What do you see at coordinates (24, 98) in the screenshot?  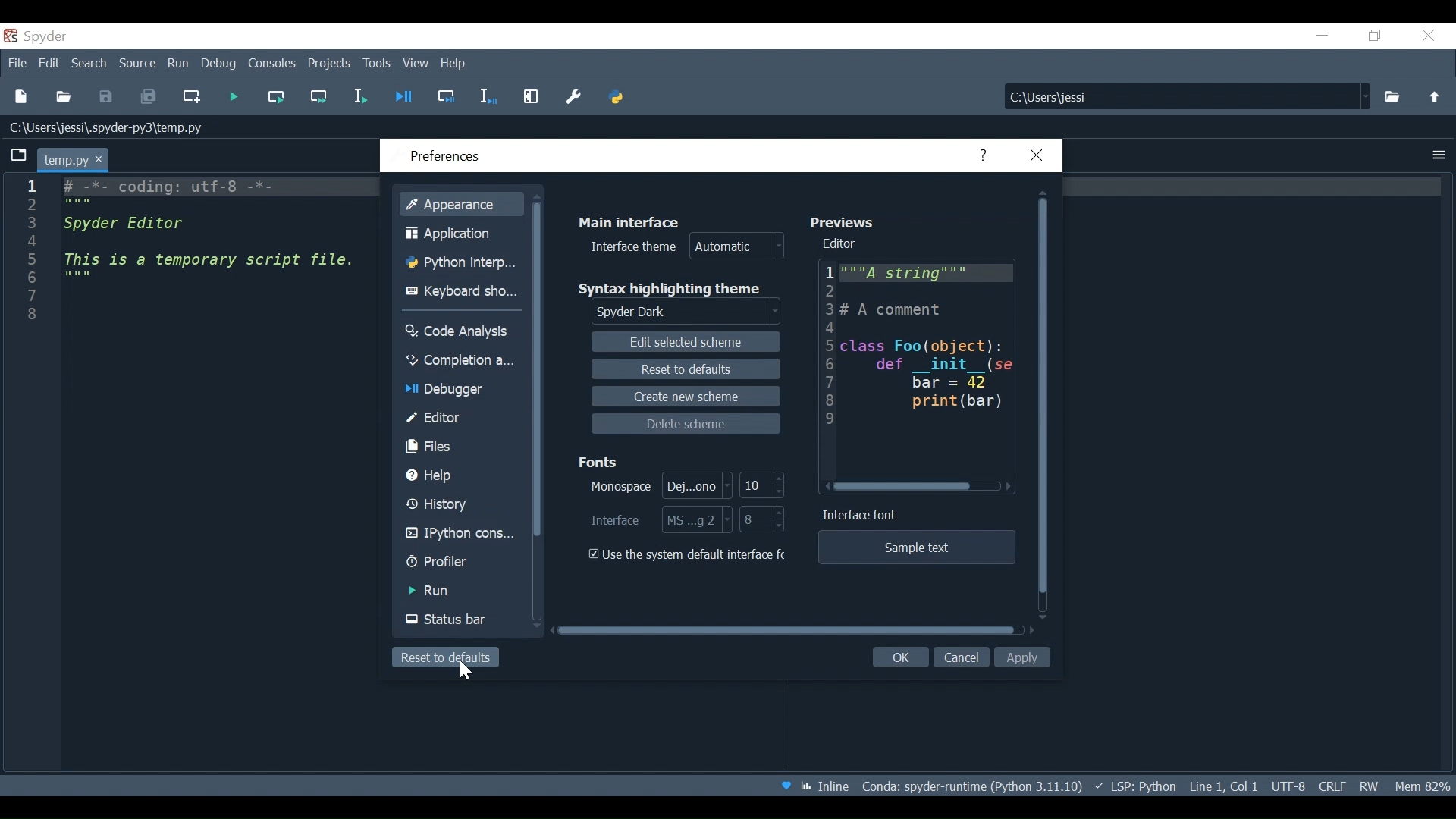 I see `New File` at bounding box center [24, 98].